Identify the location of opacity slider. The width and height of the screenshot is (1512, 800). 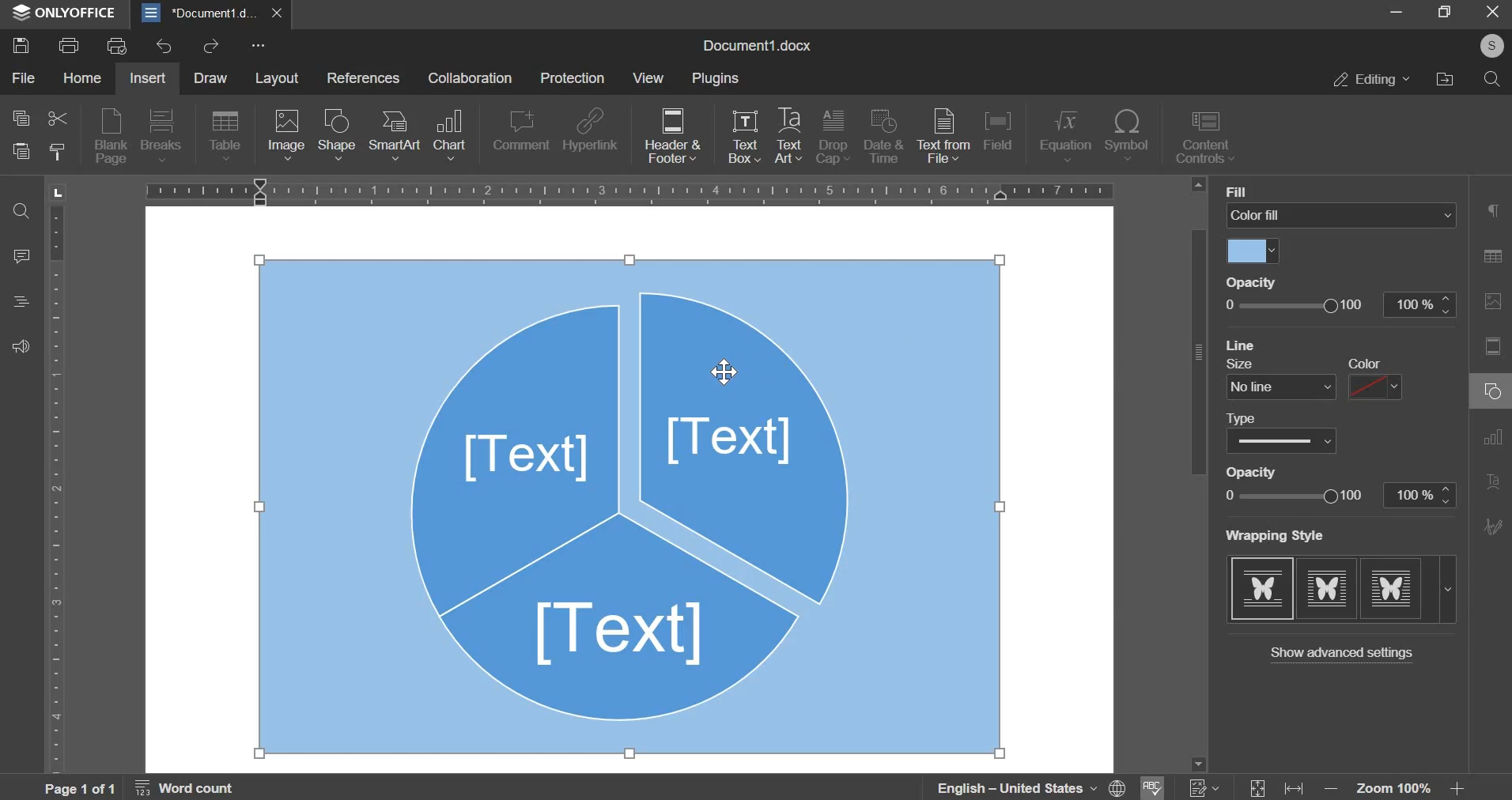
(1341, 304).